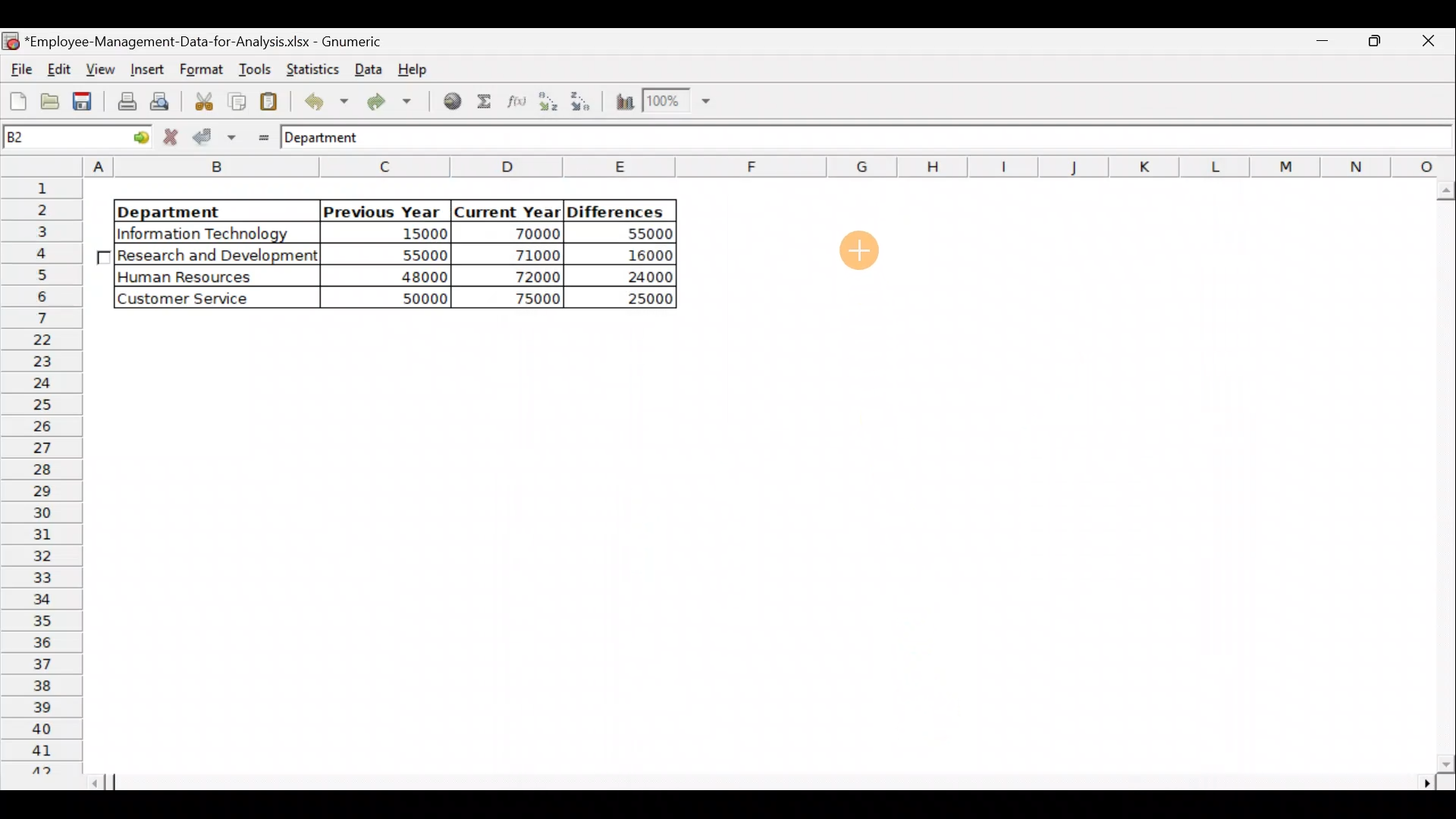  Describe the element at coordinates (218, 257) in the screenshot. I see `Research and Development` at that location.